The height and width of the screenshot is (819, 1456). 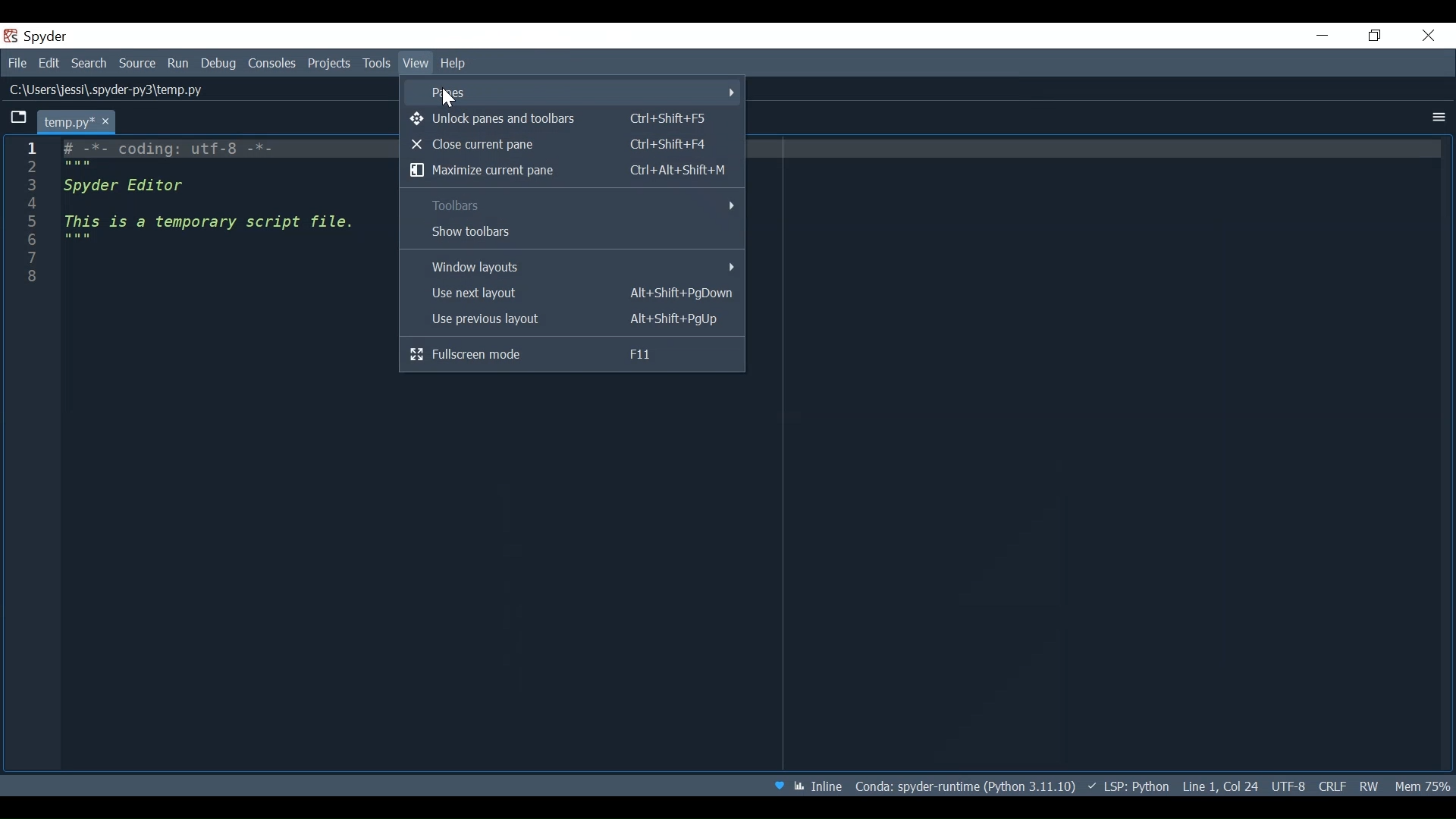 I want to click on Panes, so click(x=571, y=91).